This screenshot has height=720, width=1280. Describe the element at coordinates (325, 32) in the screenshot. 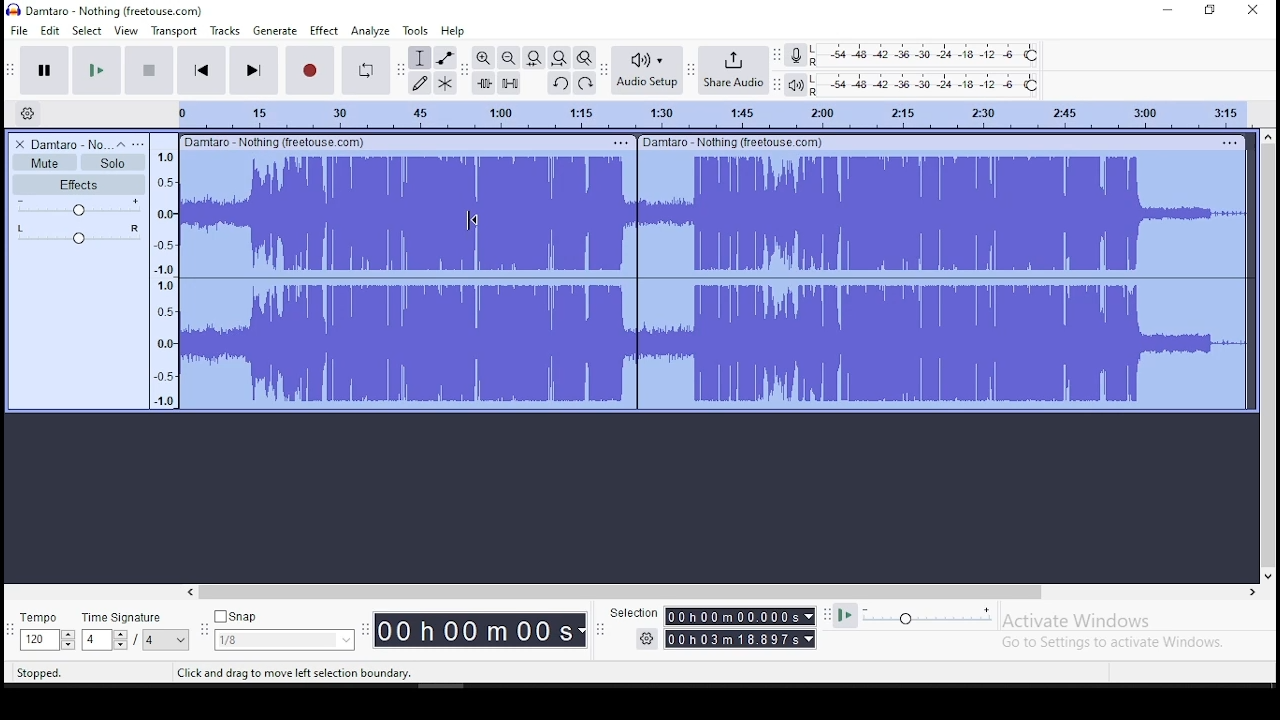

I see `effect` at that location.